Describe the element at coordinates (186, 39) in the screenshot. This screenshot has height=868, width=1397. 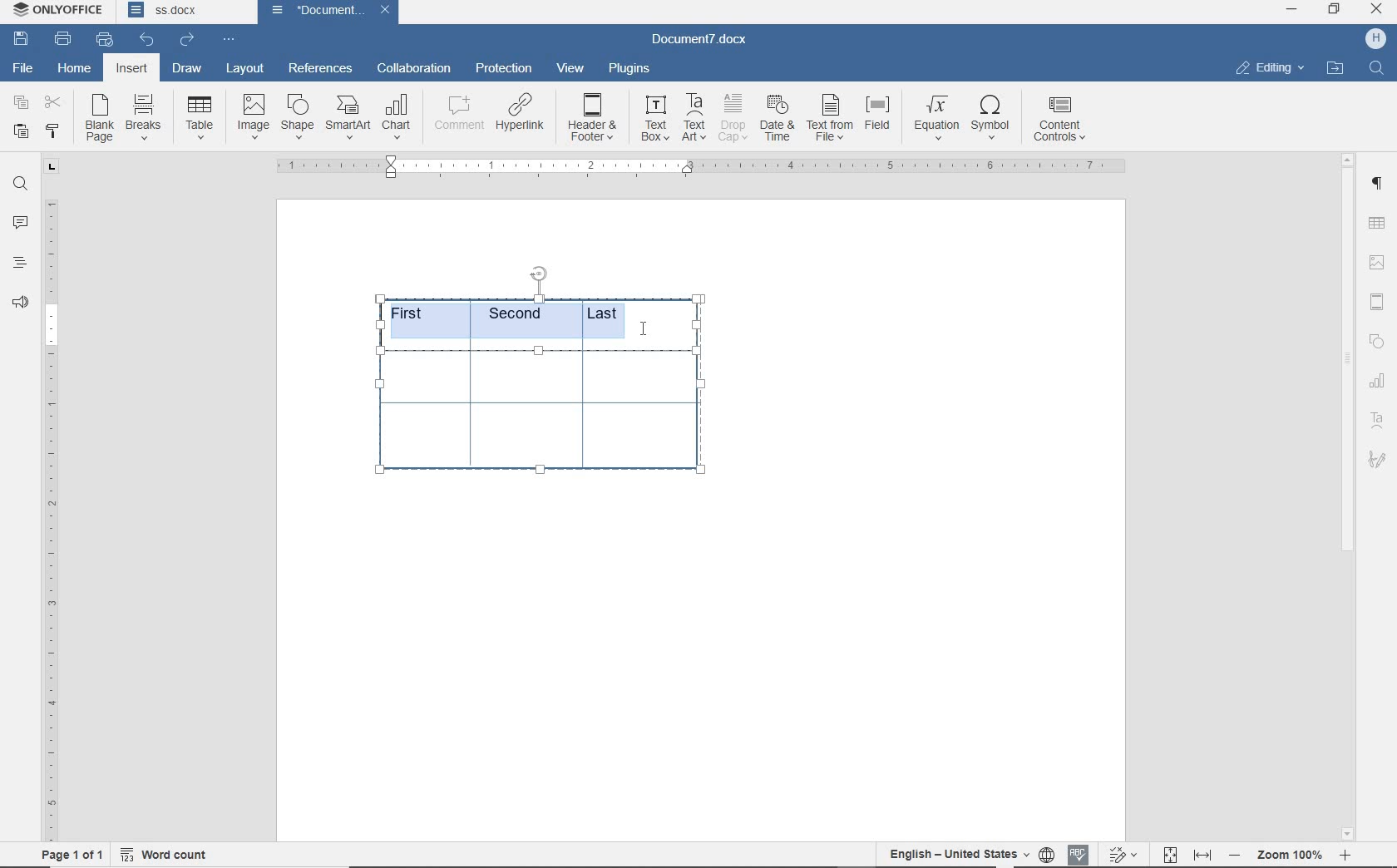
I see `redo` at that location.